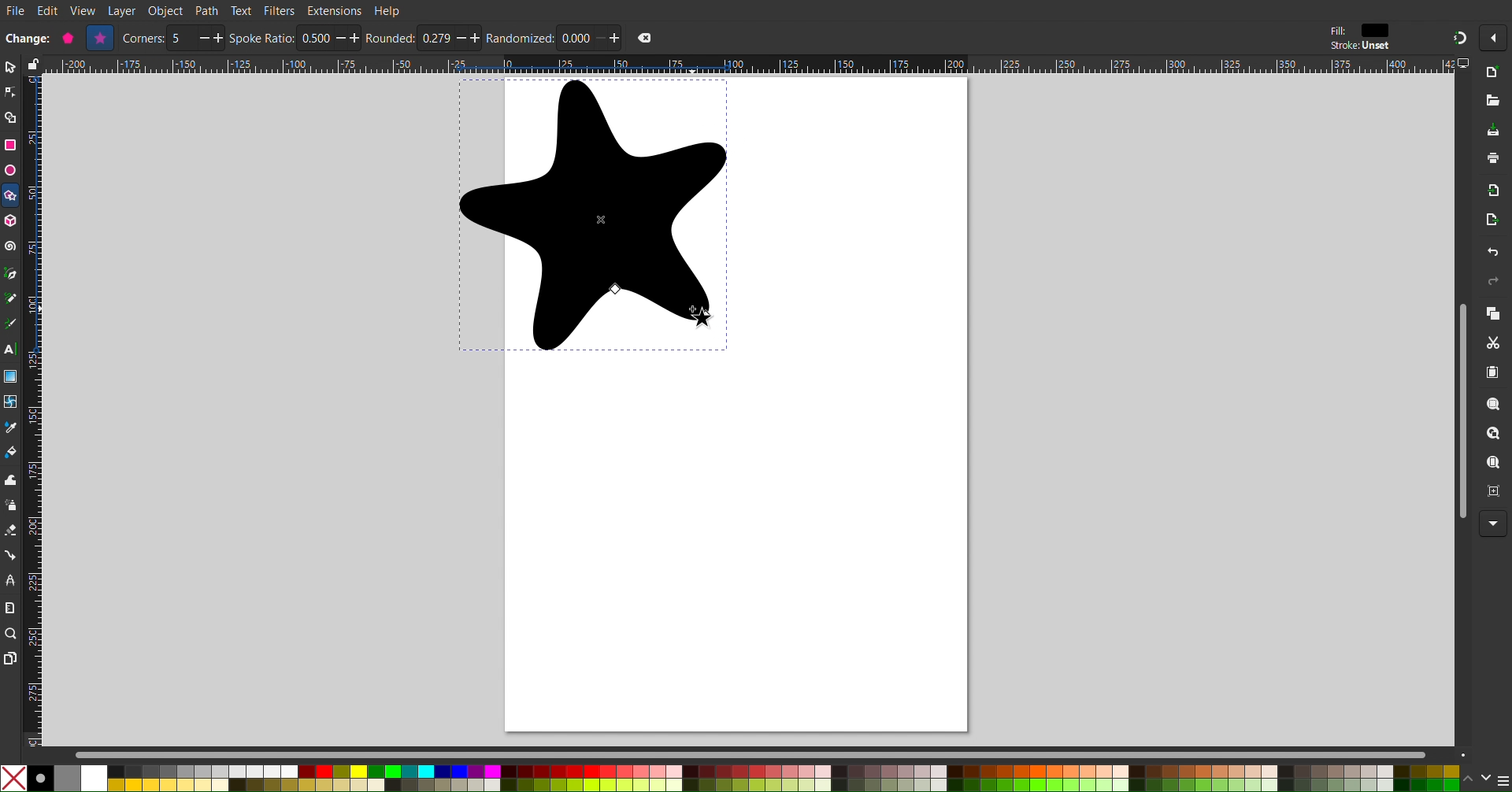 The height and width of the screenshot is (792, 1512). What do you see at coordinates (261, 37) in the screenshot?
I see `spoke ratio` at bounding box center [261, 37].